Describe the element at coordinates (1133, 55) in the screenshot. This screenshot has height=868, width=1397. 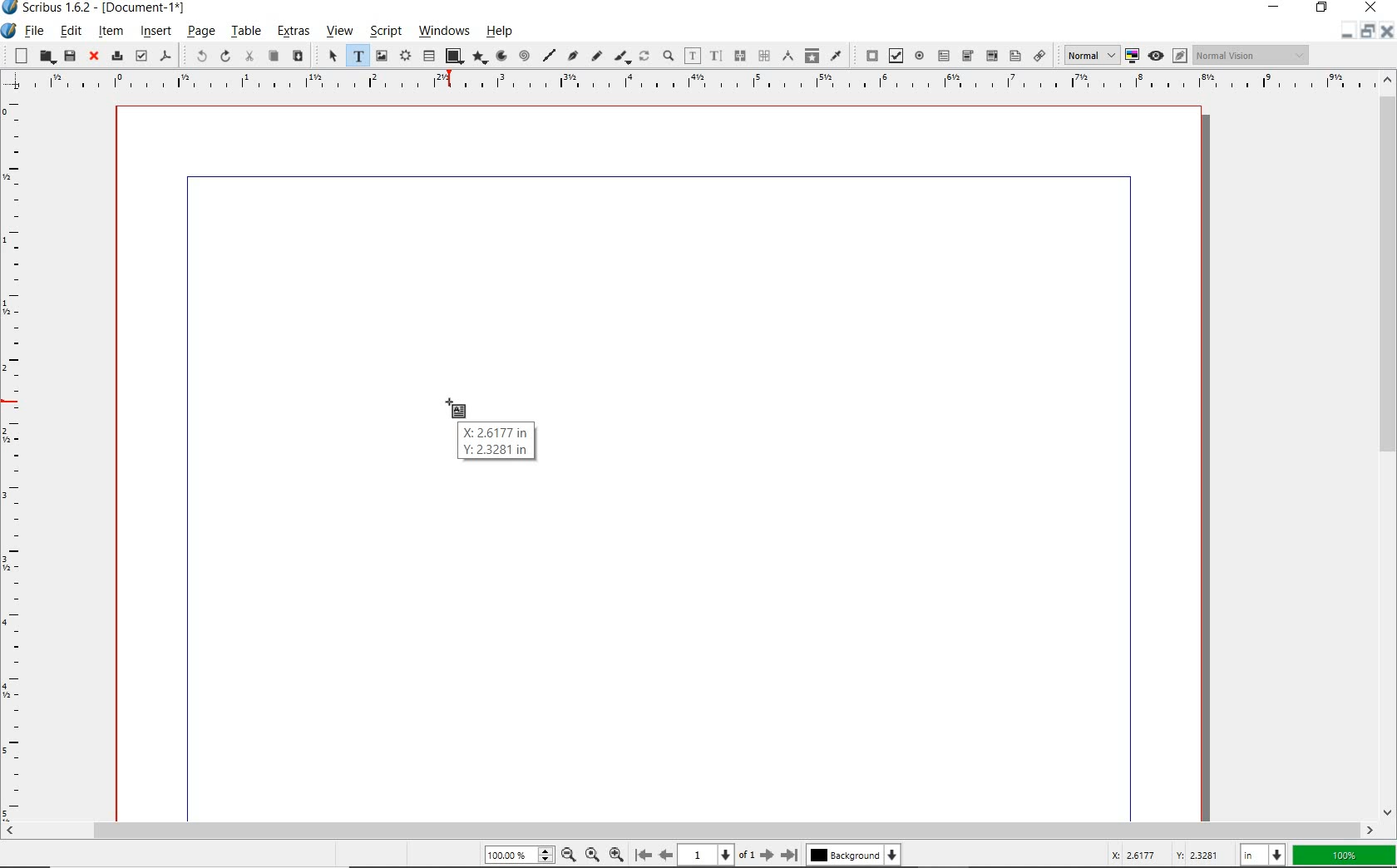
I see `toggle color` at that location.